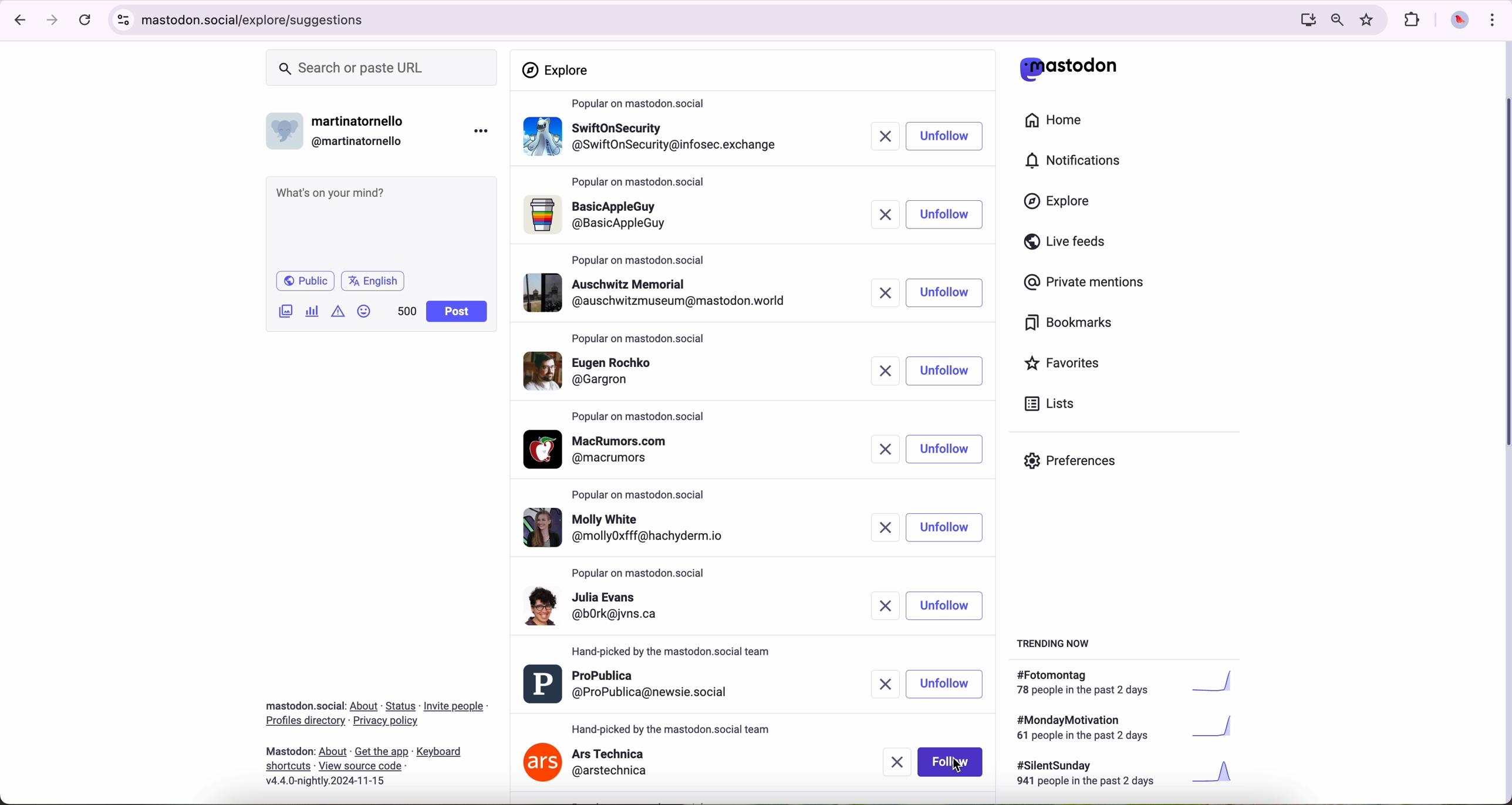  I want to click on ars technica profile, so click(587, 764).